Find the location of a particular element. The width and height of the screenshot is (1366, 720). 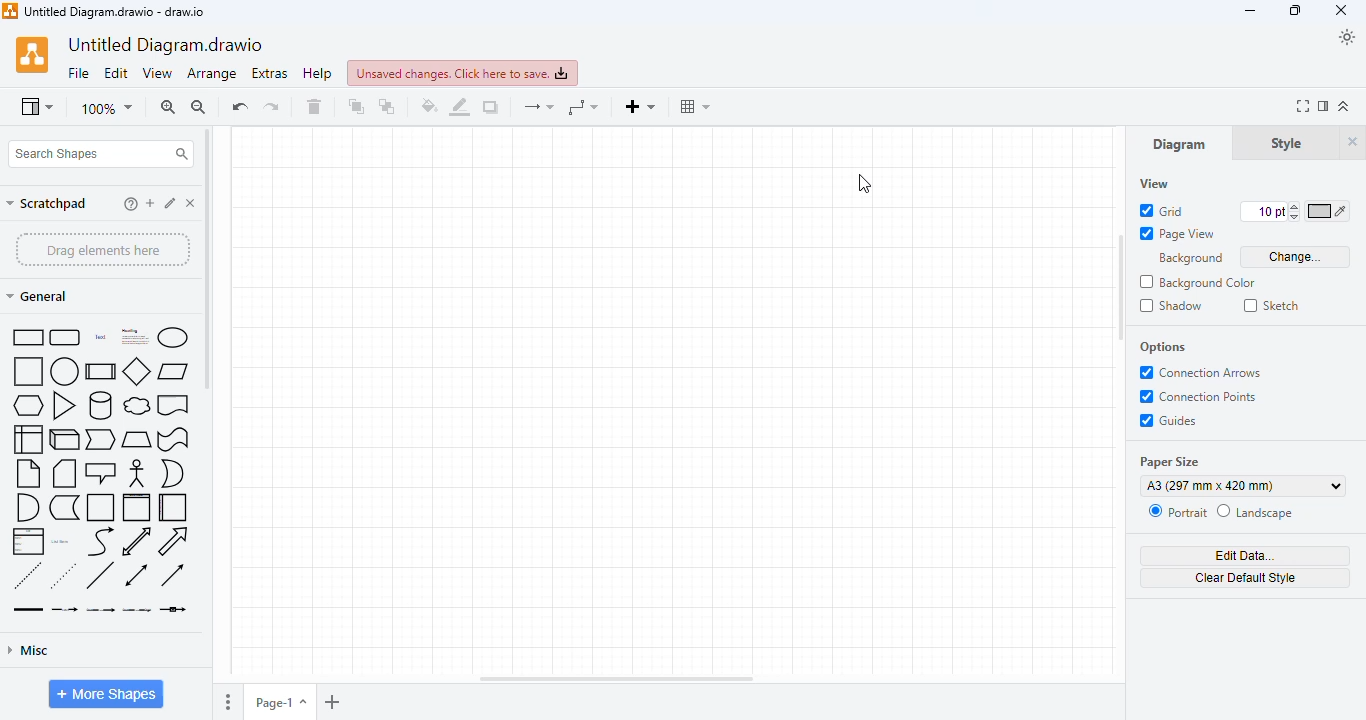

process is located at coordinates (101, 371).